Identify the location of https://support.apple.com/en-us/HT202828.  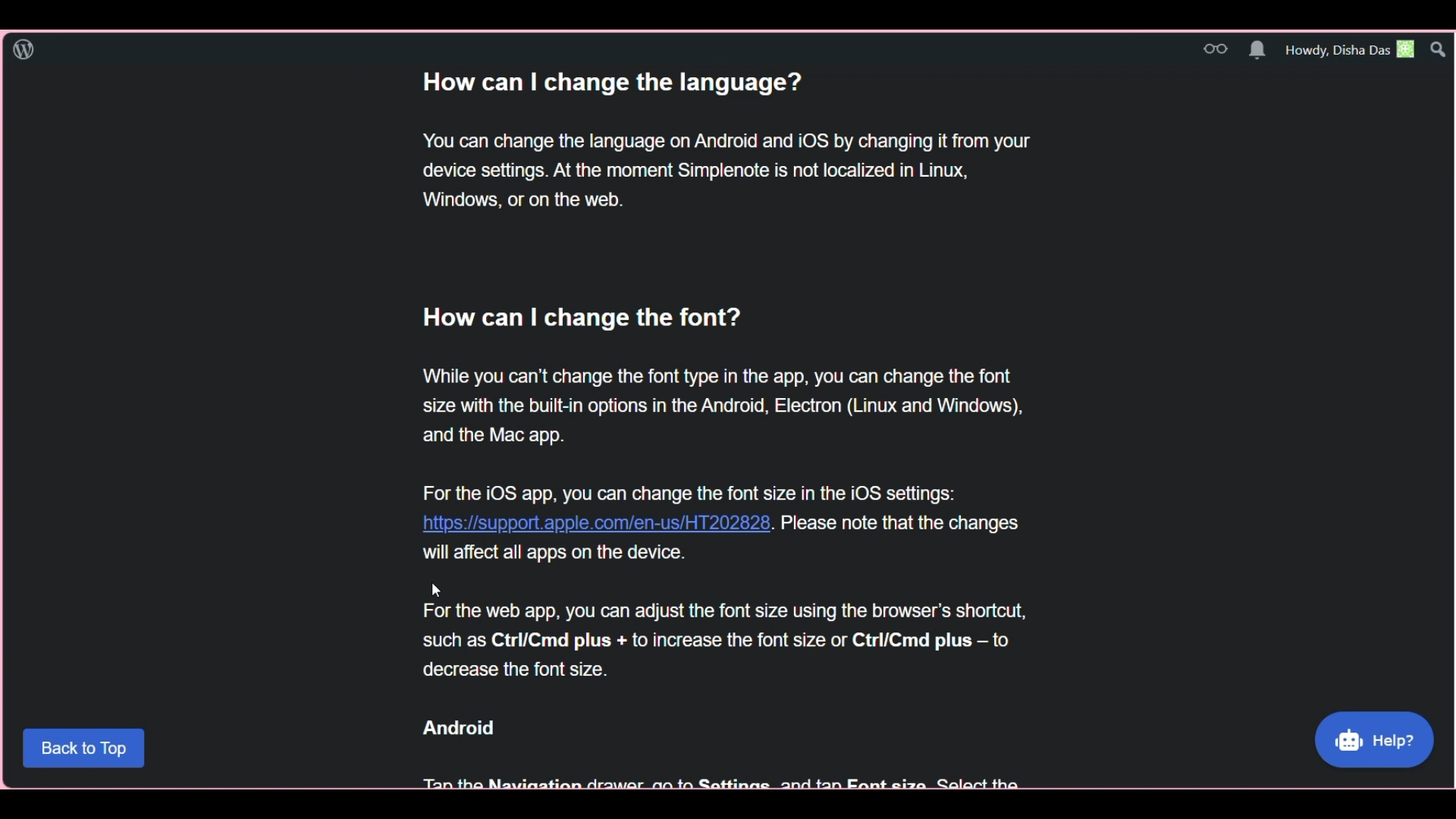
(595, 520).